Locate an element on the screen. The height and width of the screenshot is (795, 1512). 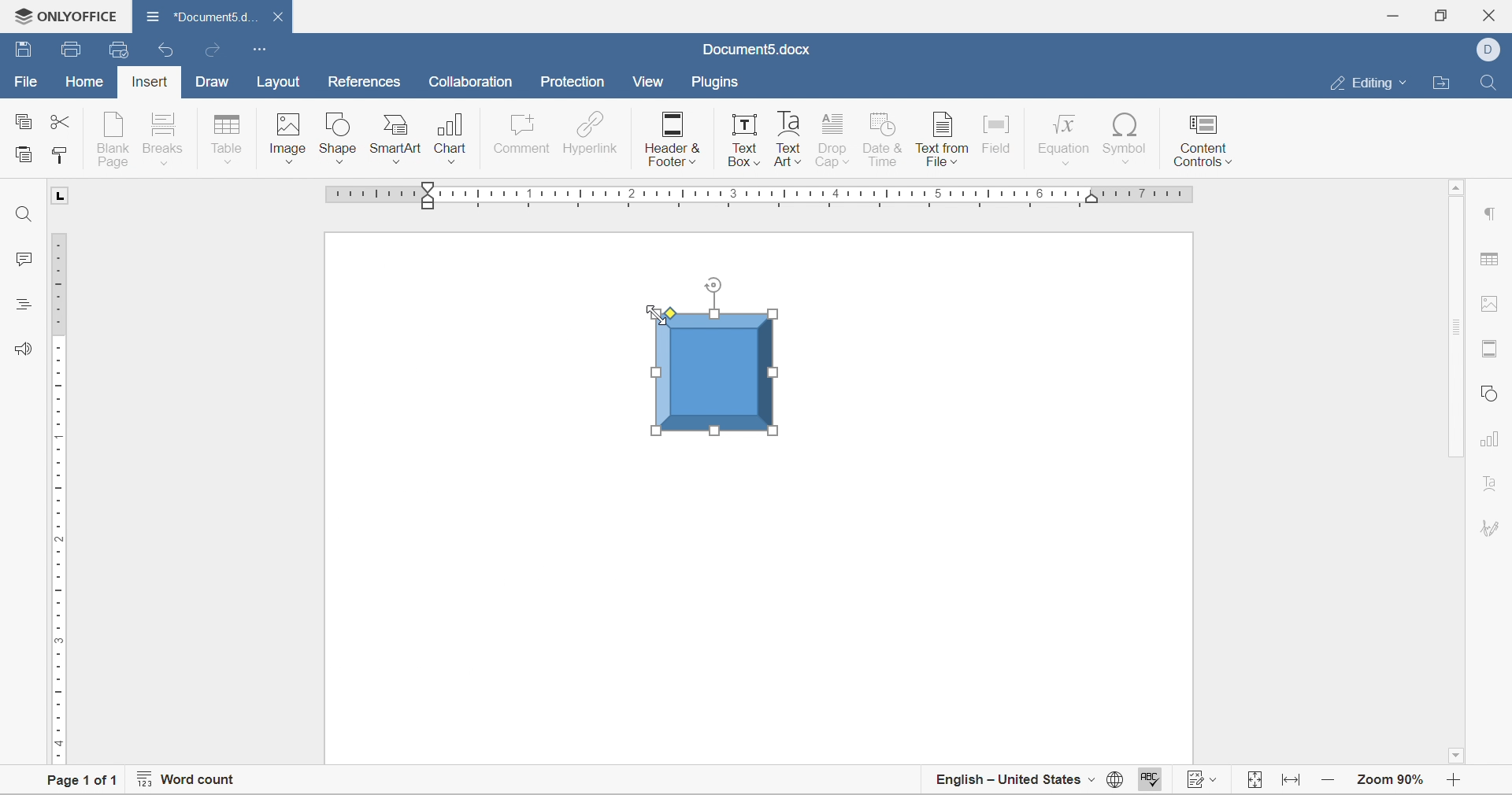
paragraph settings is located at coordinates (1495, 213).